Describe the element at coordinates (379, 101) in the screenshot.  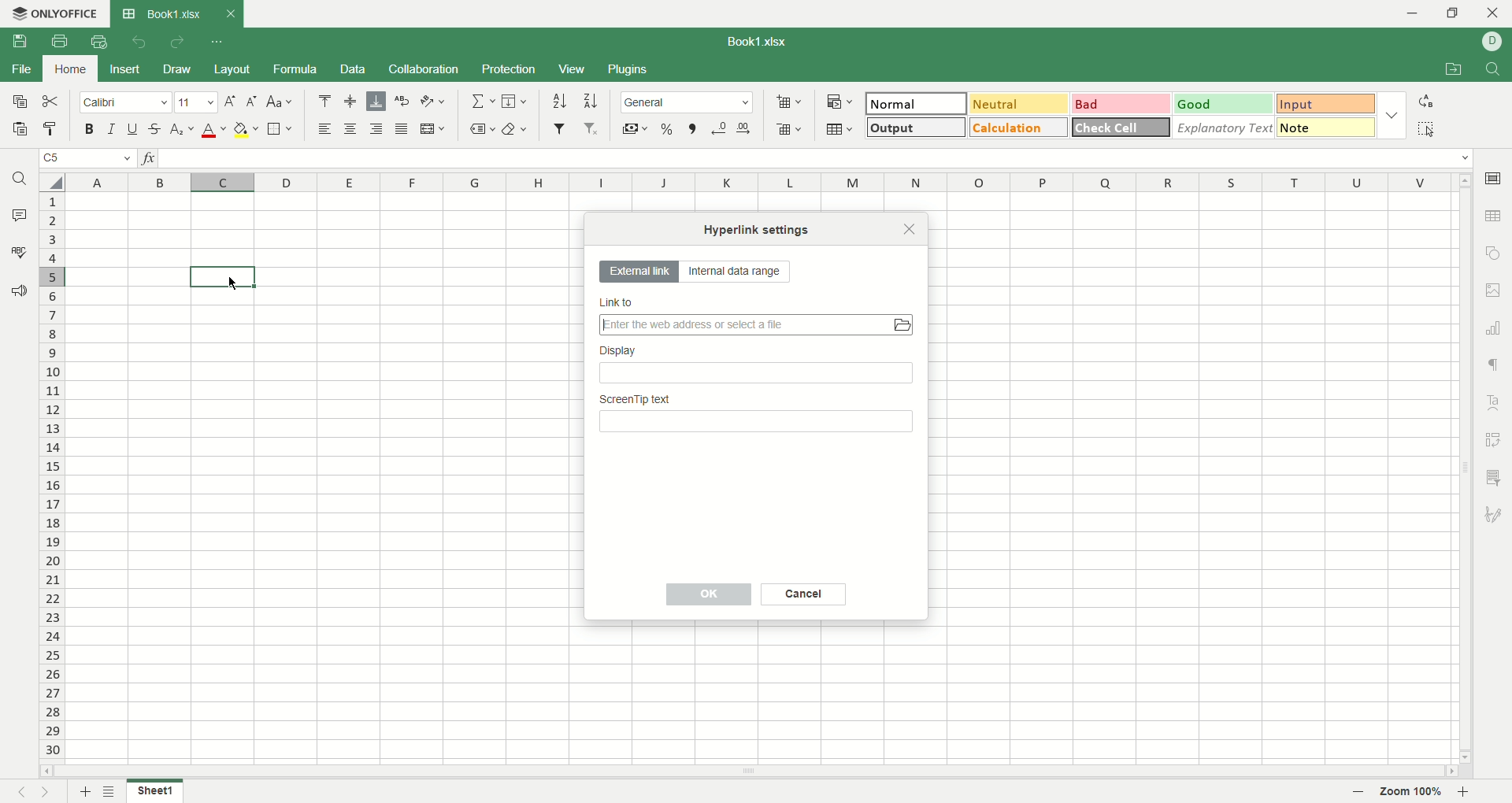
I see `align bottom` at that location.